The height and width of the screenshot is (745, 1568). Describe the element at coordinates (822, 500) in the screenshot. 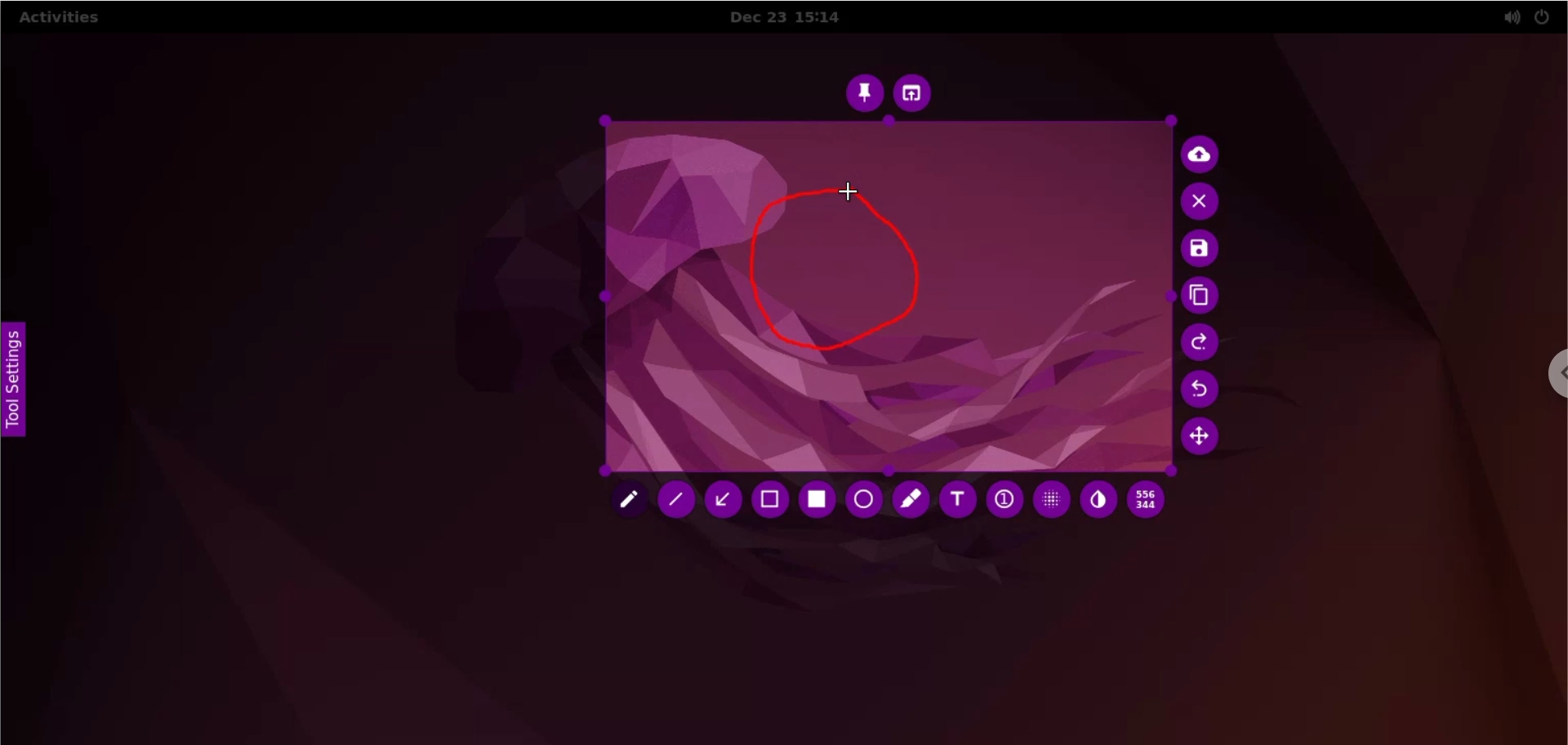

I see `rectangle` at that location.